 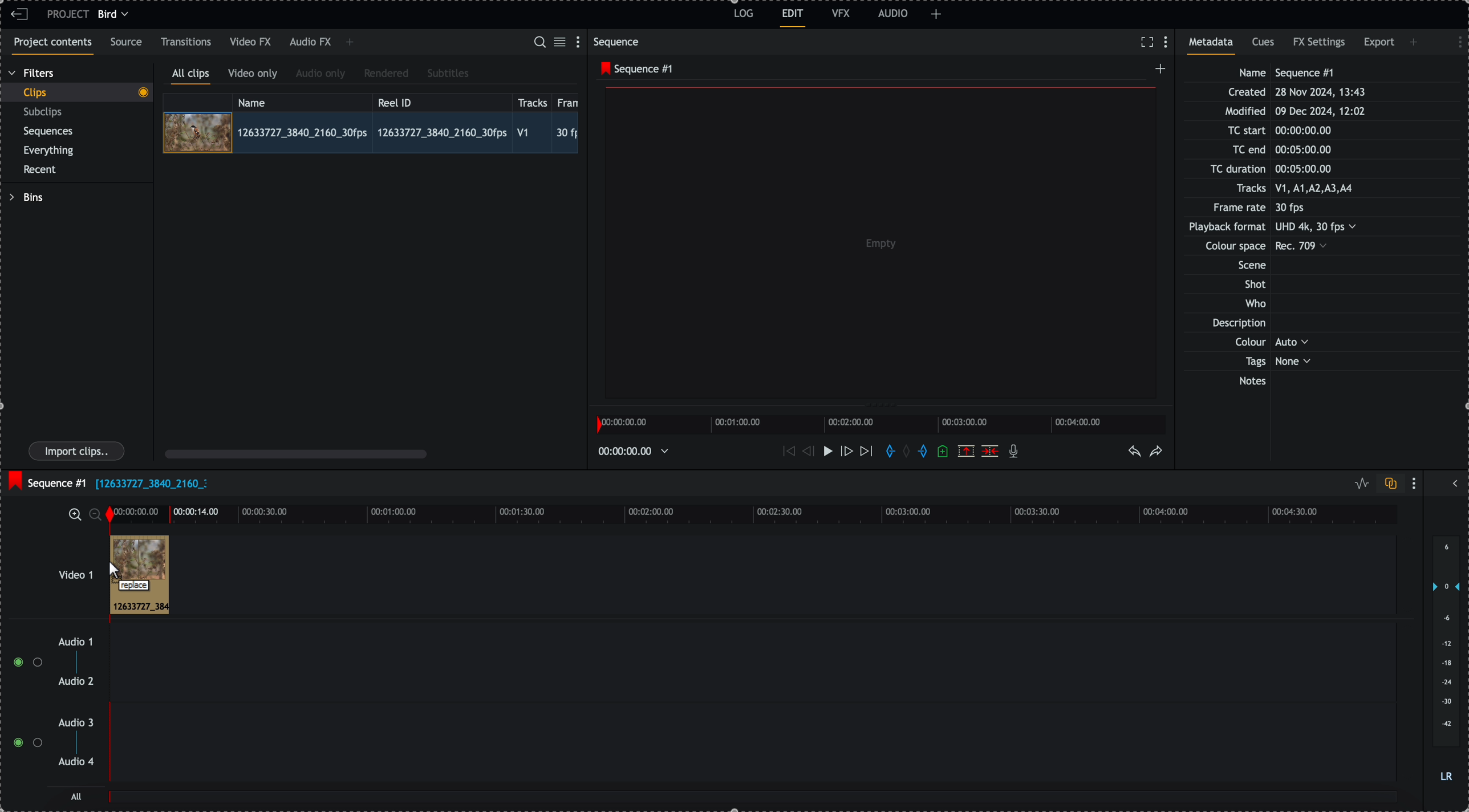 I want to click on add panel, so click(x=936, y=14).